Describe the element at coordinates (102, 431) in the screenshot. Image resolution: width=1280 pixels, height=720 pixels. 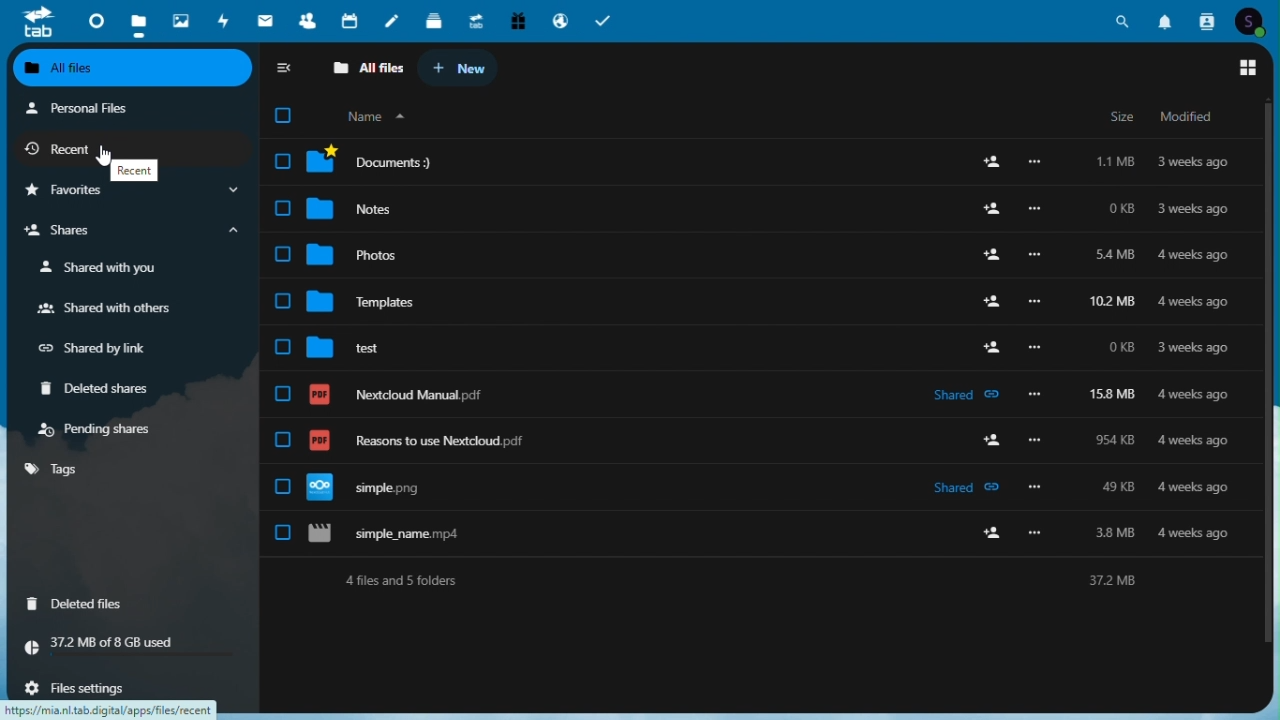
I see `Pending shares` at that location.